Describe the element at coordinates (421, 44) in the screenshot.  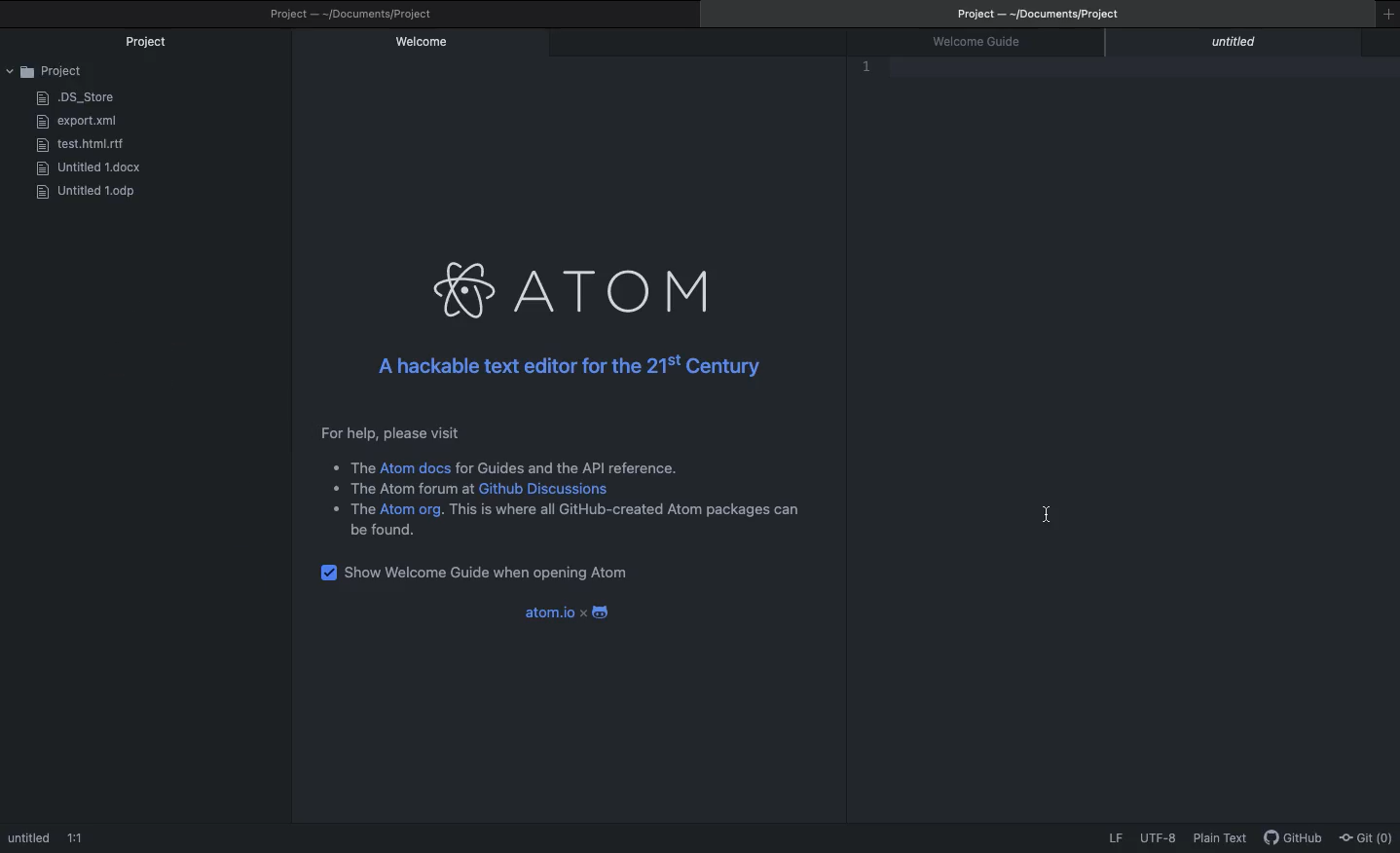
I see `Welcome` at that location.